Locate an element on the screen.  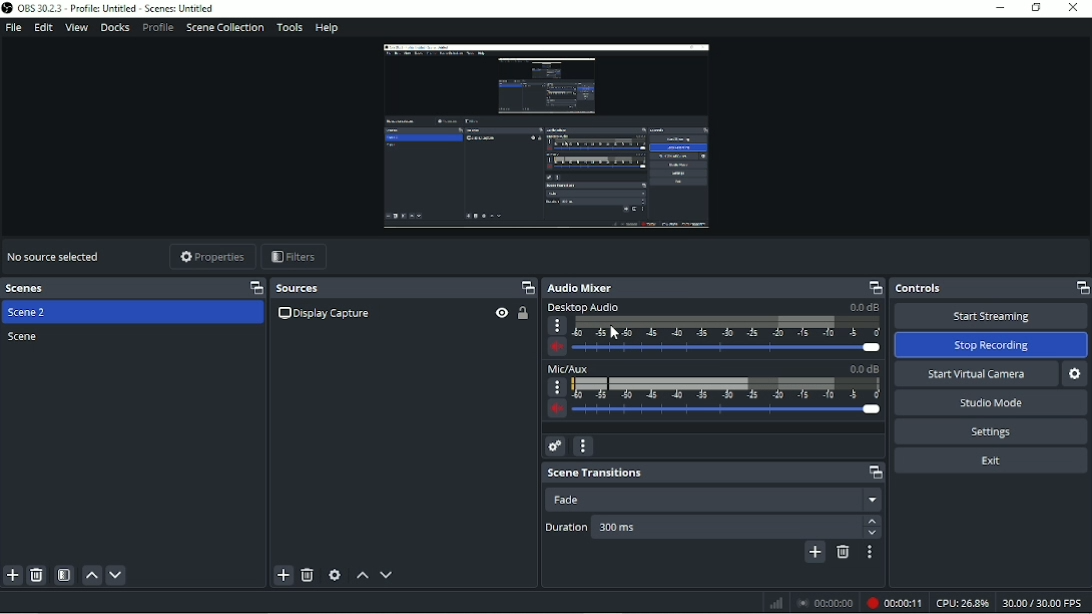
Properties is located at coordinates (207, 257).